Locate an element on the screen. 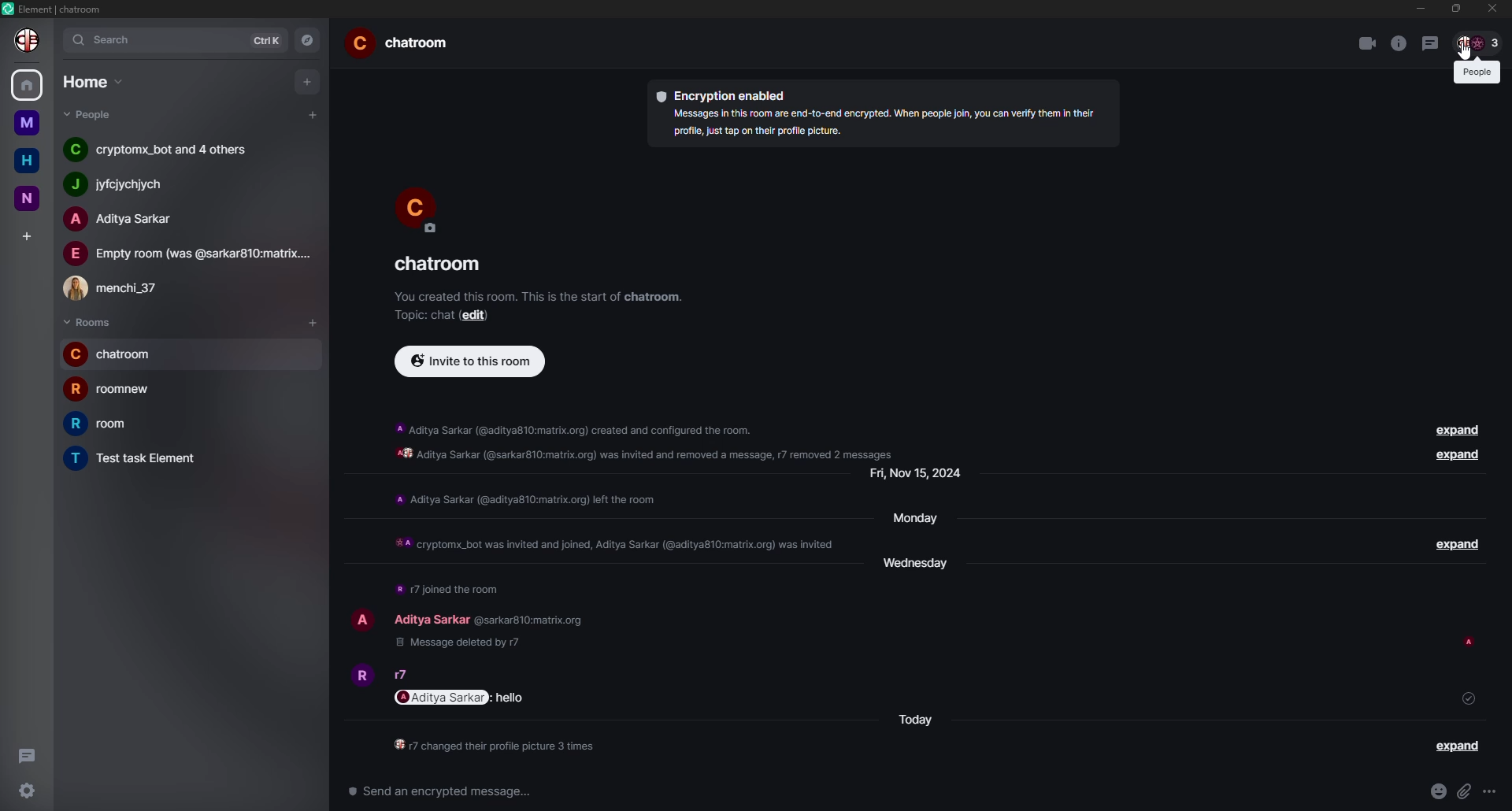  people is located at coordinates (161, 147).